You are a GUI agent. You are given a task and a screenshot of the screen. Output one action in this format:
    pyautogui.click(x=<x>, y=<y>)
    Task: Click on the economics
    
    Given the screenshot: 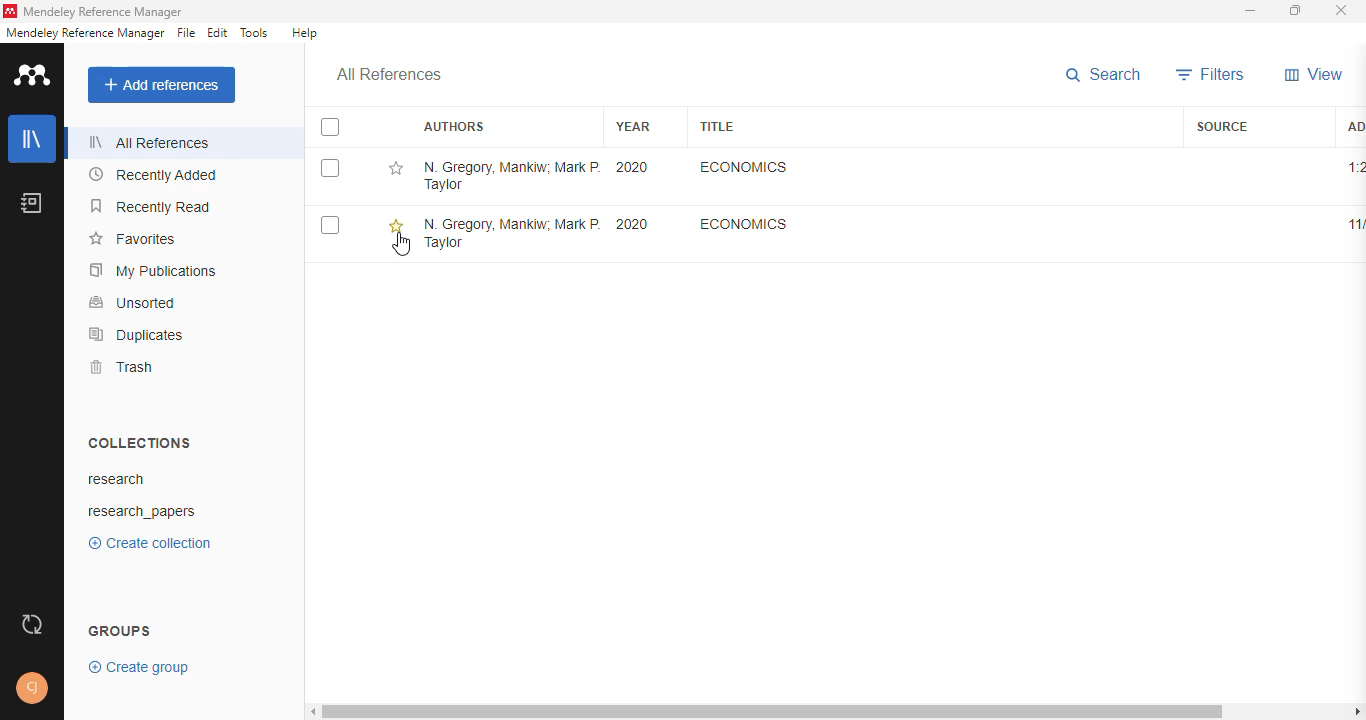 What is the action you would take?
    pyautogui.click(x=742, y=224)
    